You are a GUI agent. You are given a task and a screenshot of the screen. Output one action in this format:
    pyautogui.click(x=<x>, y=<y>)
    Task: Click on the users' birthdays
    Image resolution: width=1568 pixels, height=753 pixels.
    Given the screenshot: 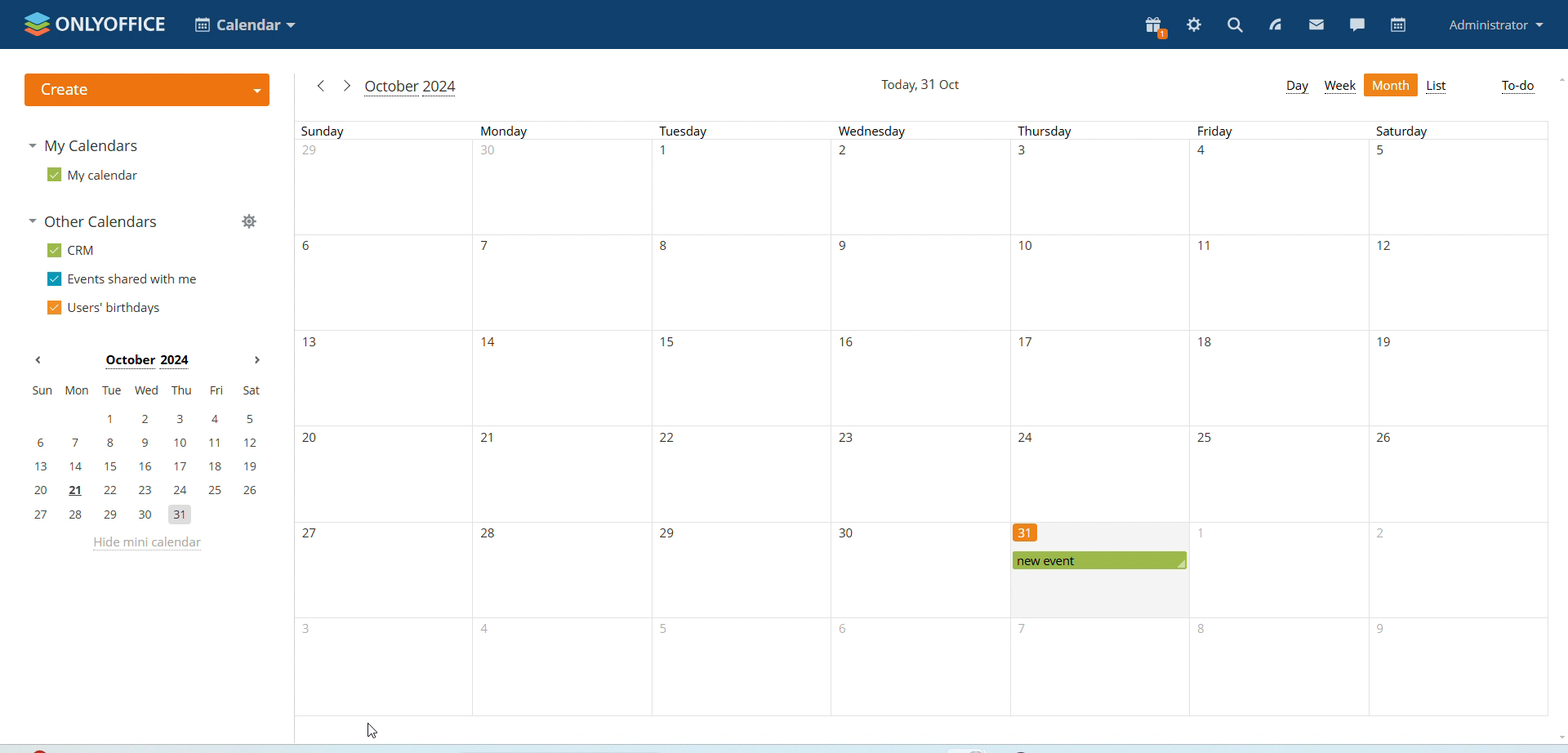 What is the action you would take?
    pyautogui.click(x=105, y=308)
    